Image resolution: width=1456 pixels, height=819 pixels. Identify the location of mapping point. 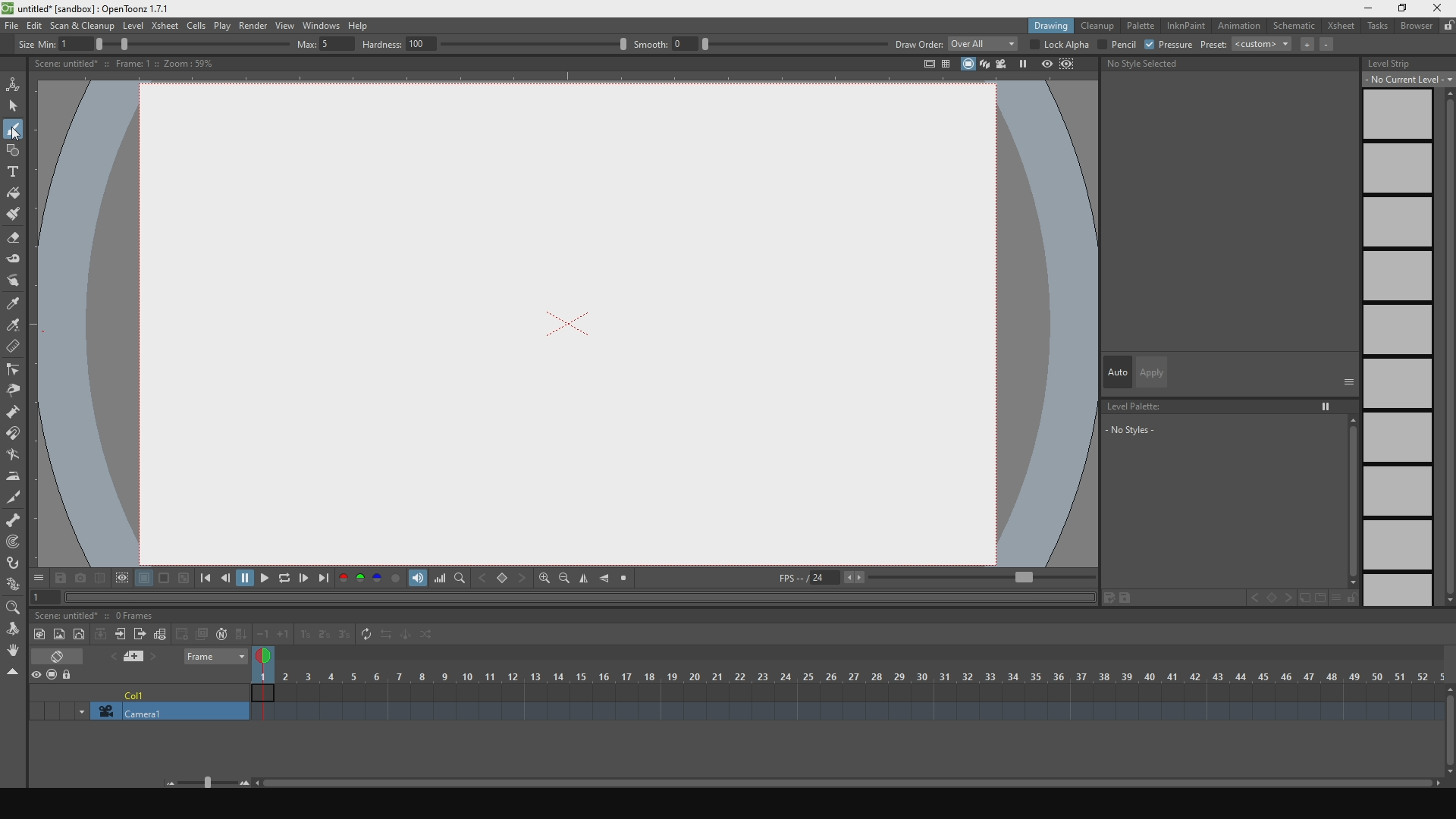
(14, 544).